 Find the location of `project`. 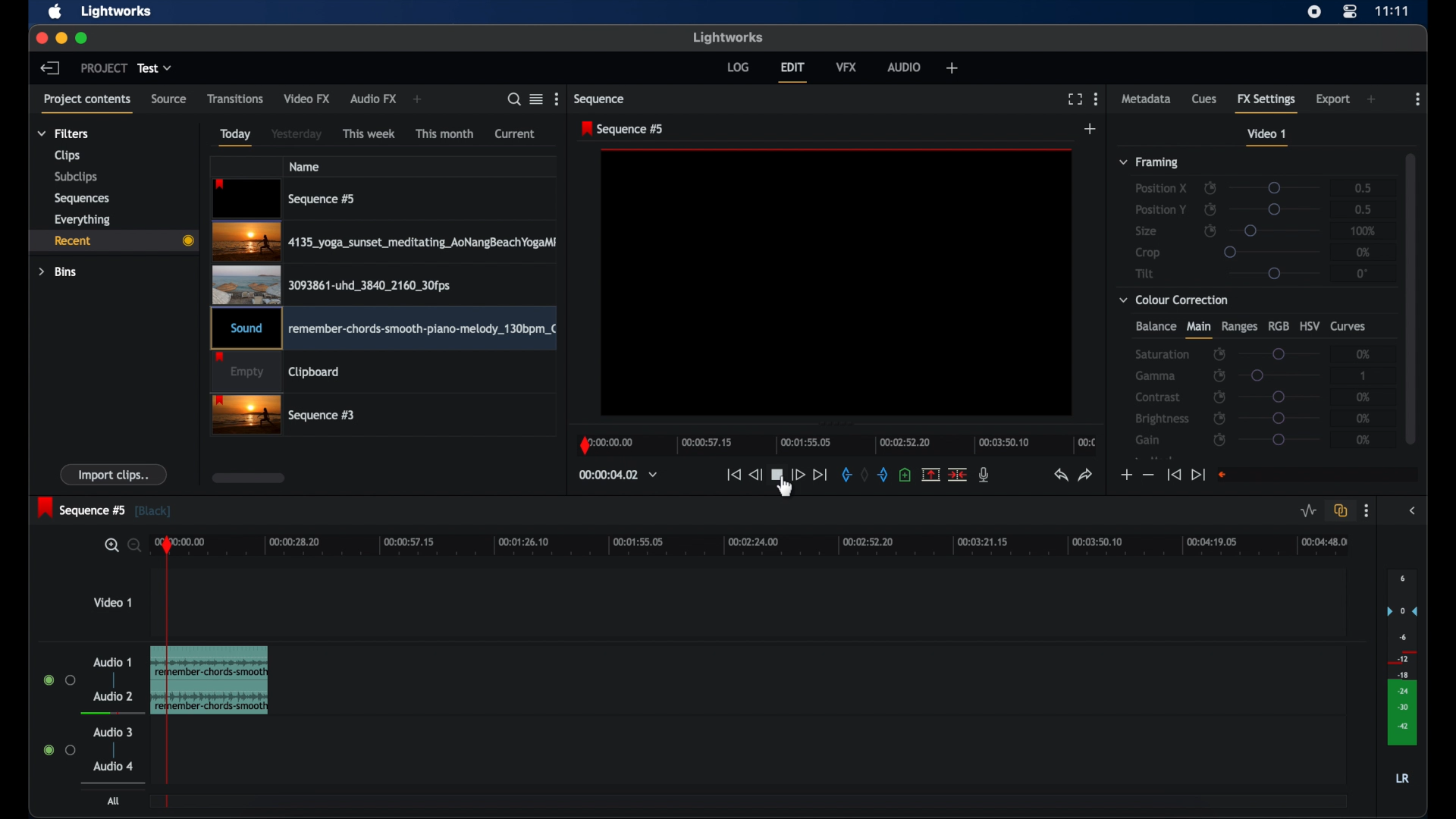

project is located at coordinates (103, 67).